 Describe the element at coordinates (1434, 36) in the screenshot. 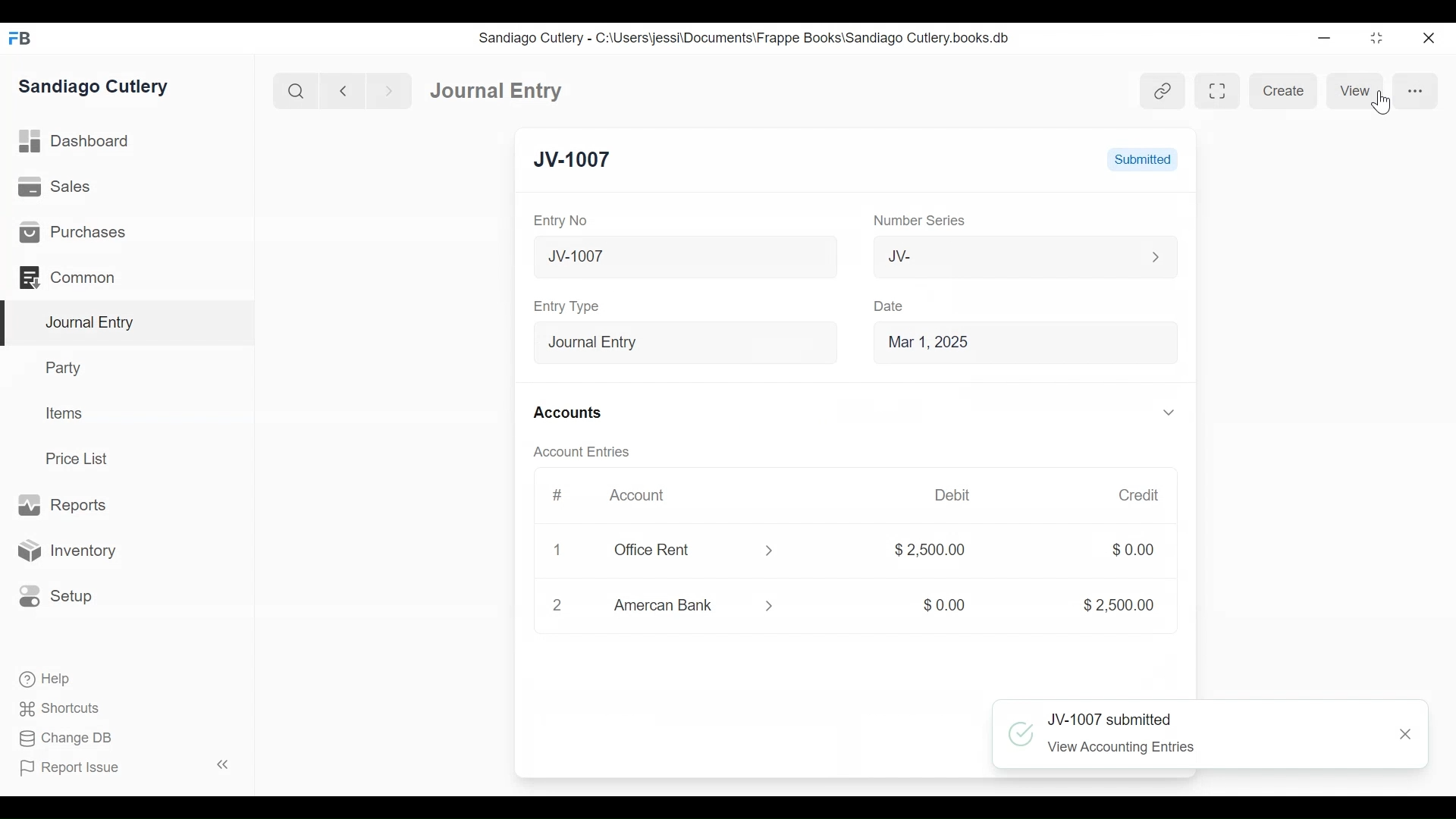

I see `close` at that location.